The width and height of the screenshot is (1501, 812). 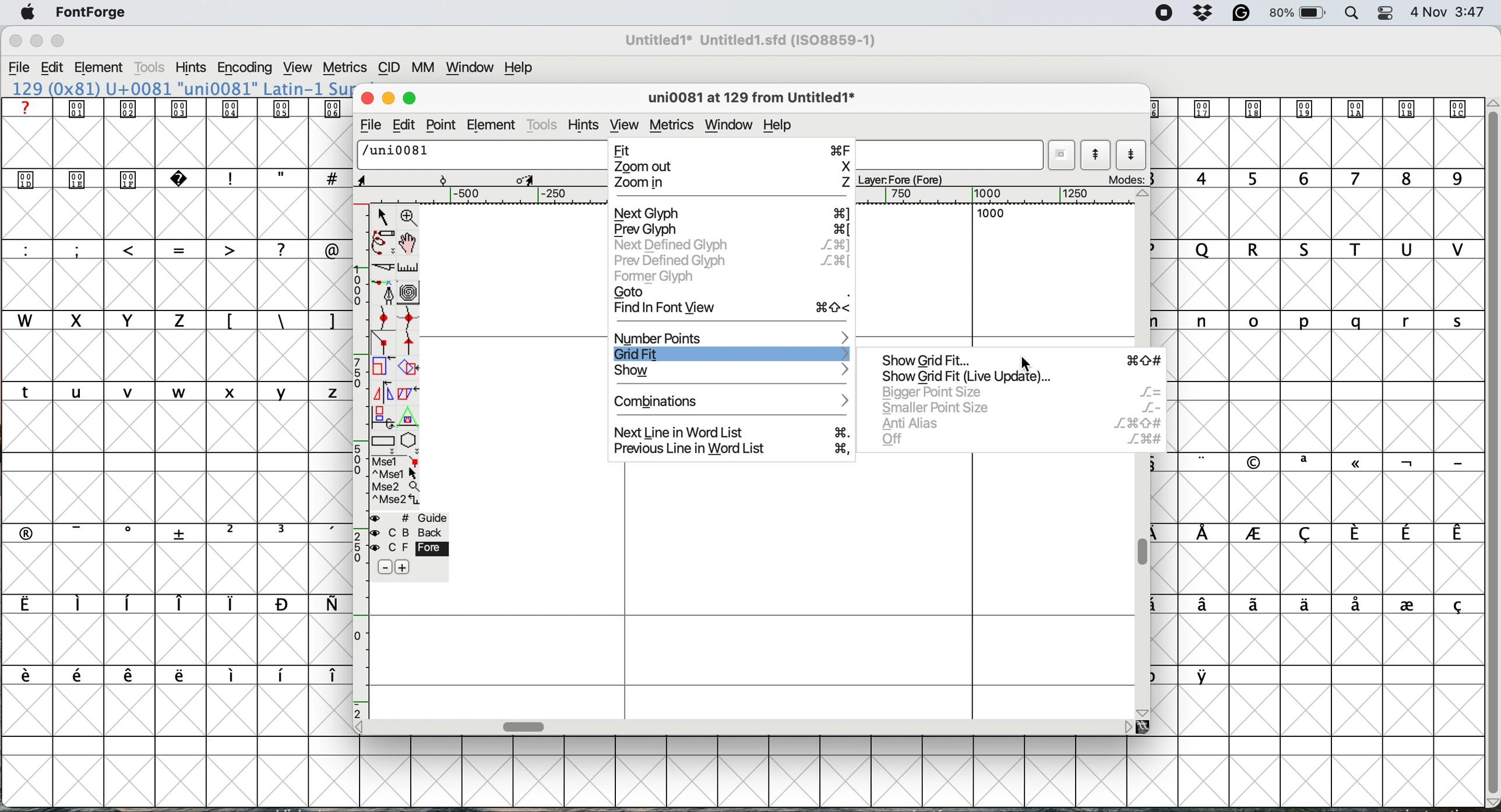 What do you see at coordinates (57, 41) in the screenshot?
I see `Maximize` at bounding box center [57, 41].